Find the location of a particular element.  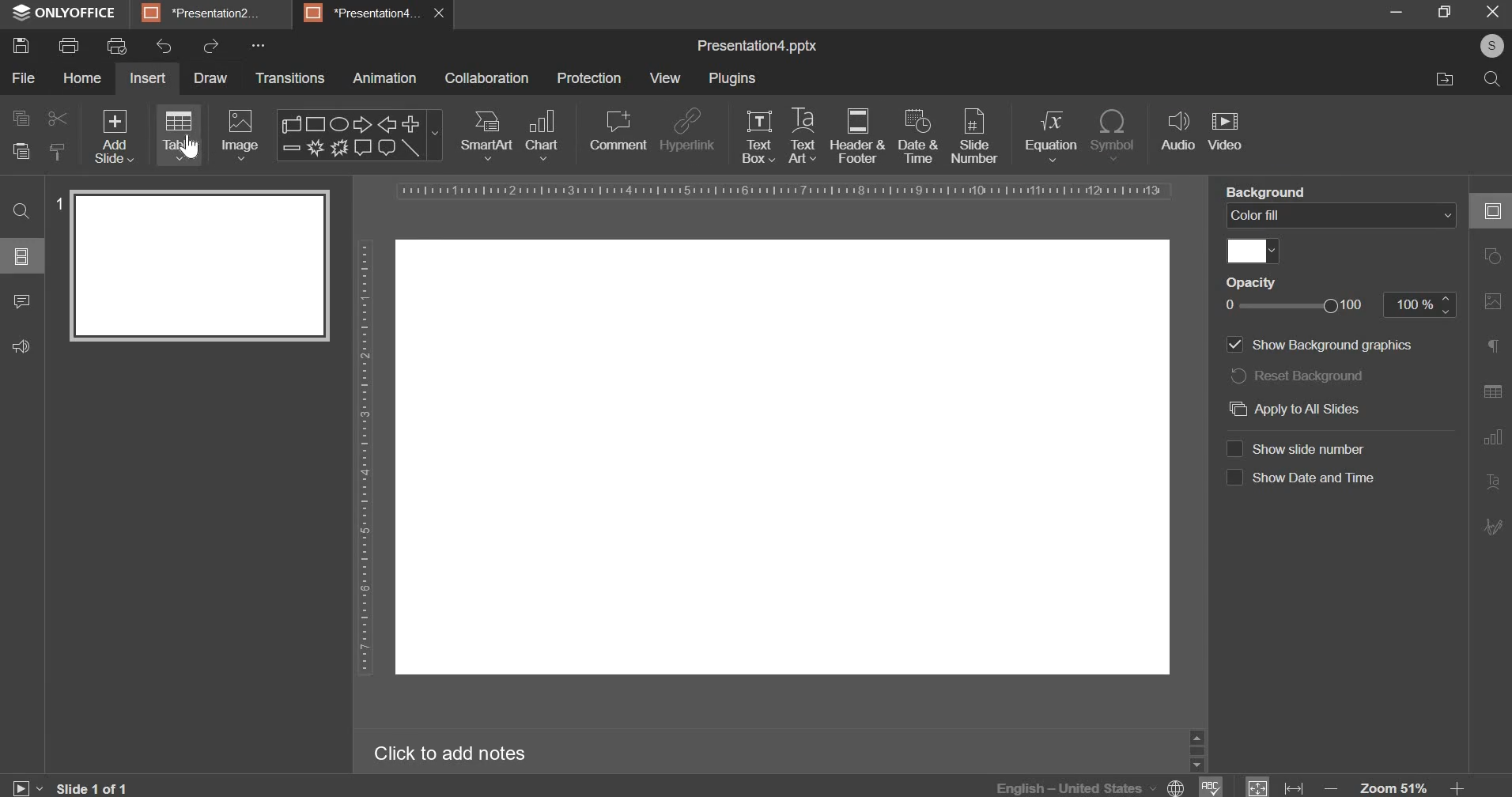

symbol is located at coordinates (1117, 135).